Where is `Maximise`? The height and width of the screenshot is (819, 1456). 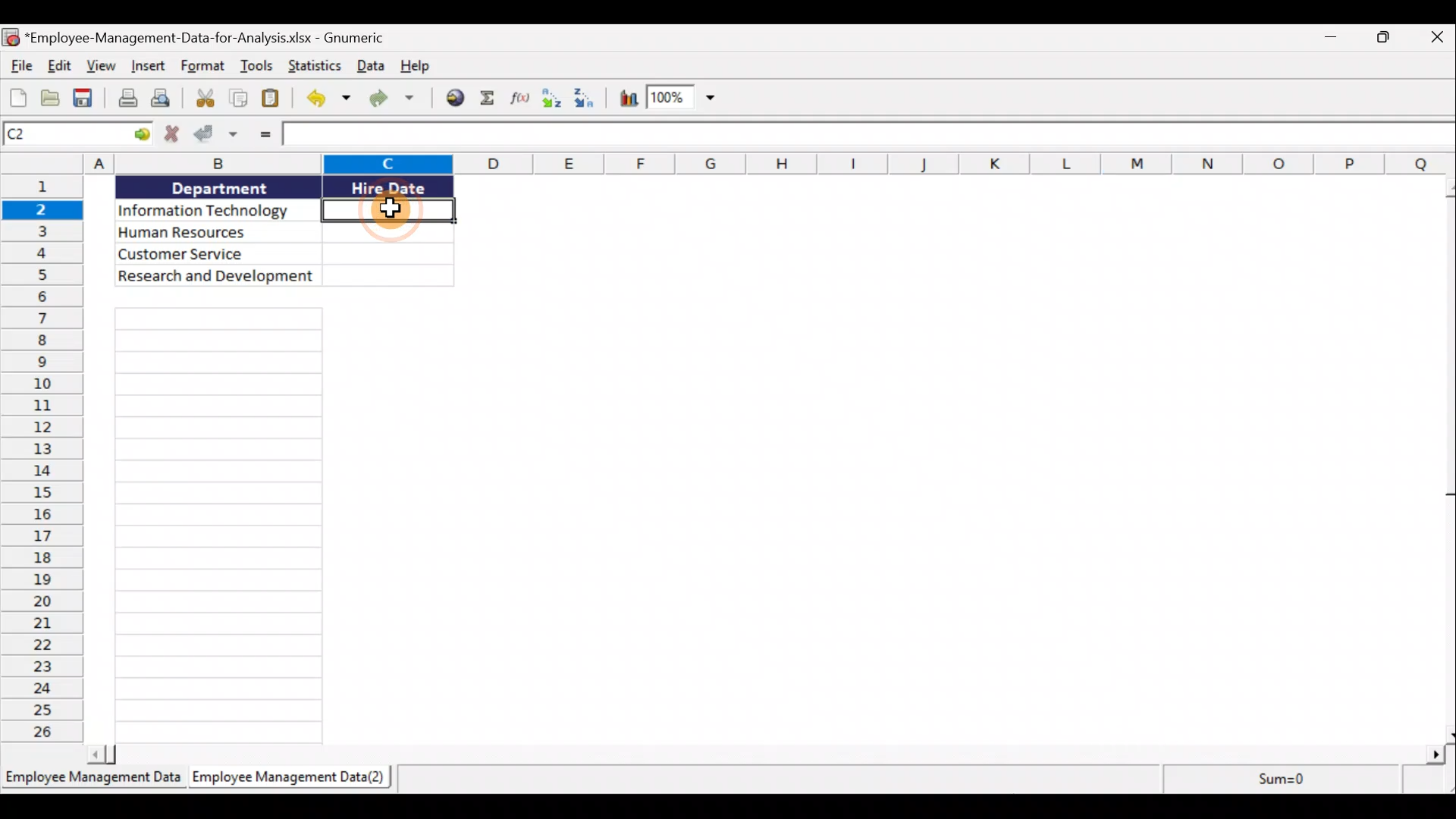
Maximise is located at coordinates (1390, 37).